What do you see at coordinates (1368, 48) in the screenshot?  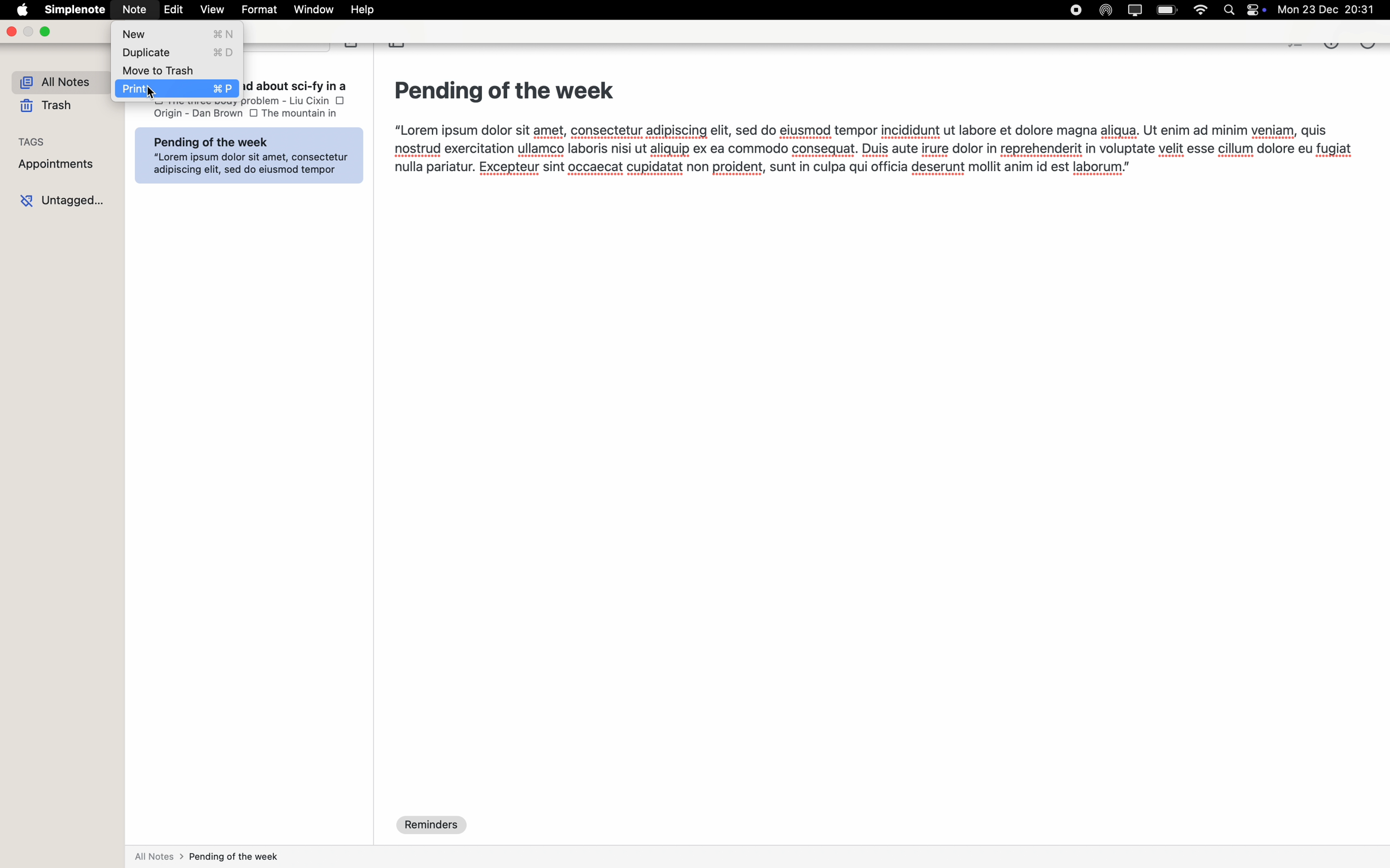 I see `more options` at bounding box center [1368, 48].